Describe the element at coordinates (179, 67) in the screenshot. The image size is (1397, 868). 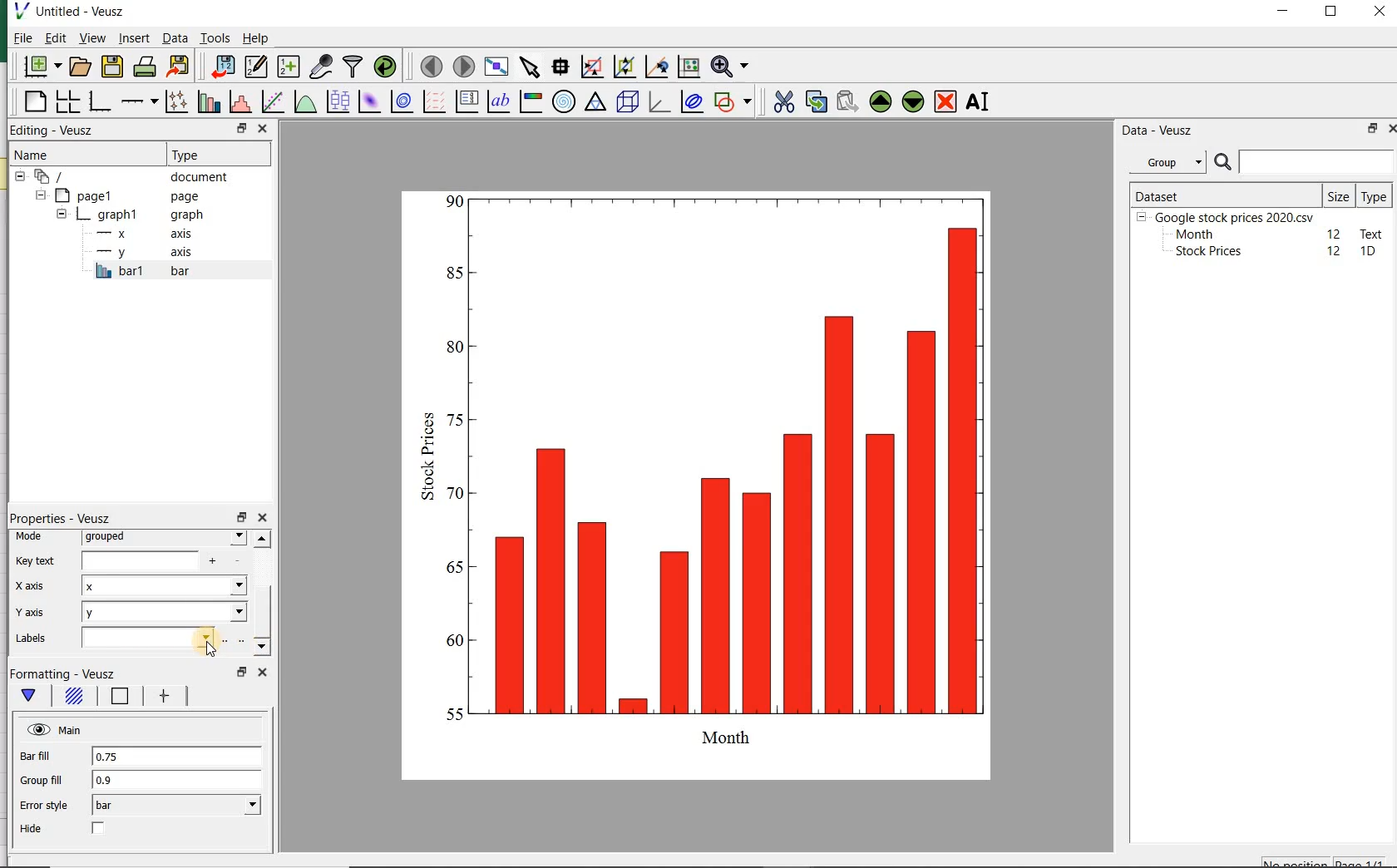
I see `export to graphics format` at that location.